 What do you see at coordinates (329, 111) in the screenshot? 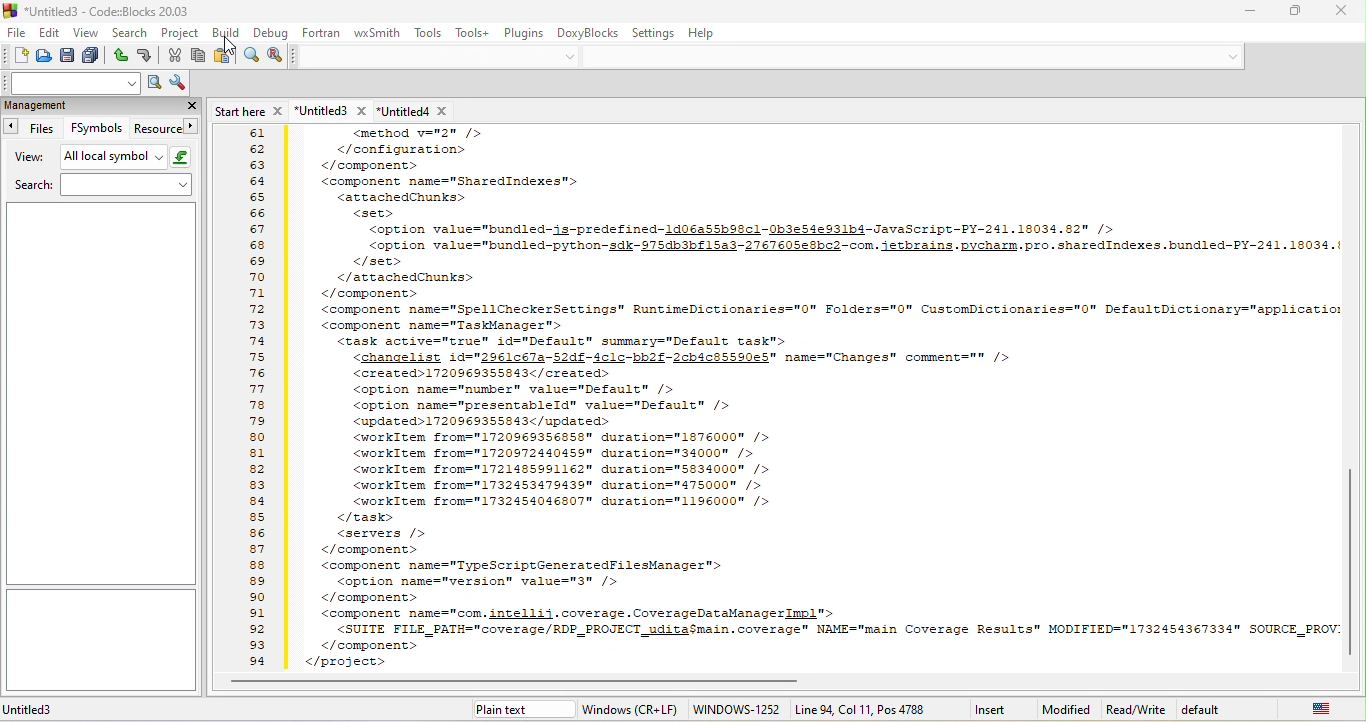
I see `untitled3` at bounding box center [329, 111].